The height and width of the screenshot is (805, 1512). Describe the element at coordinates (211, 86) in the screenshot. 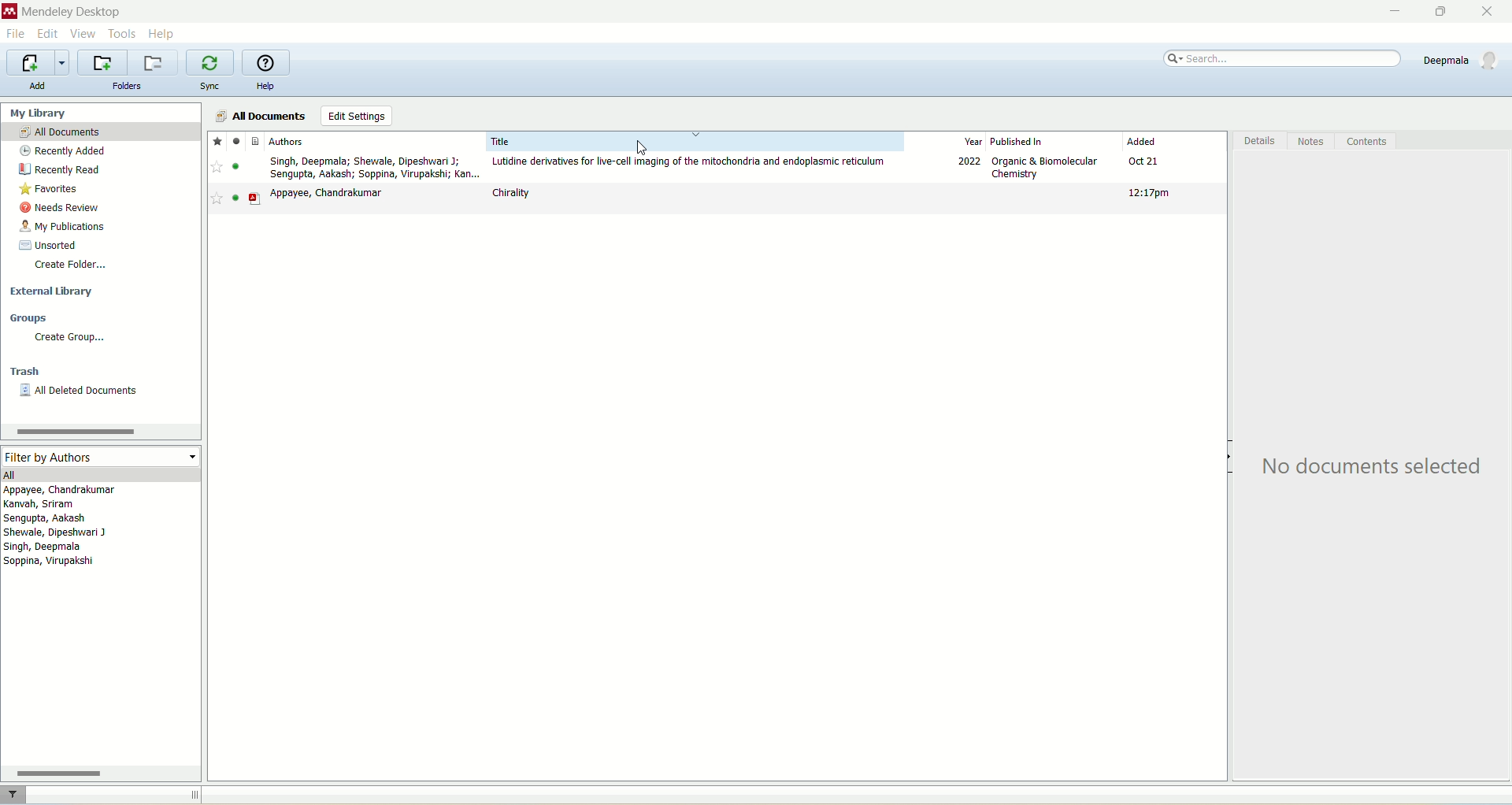

I see `sync` at that location.